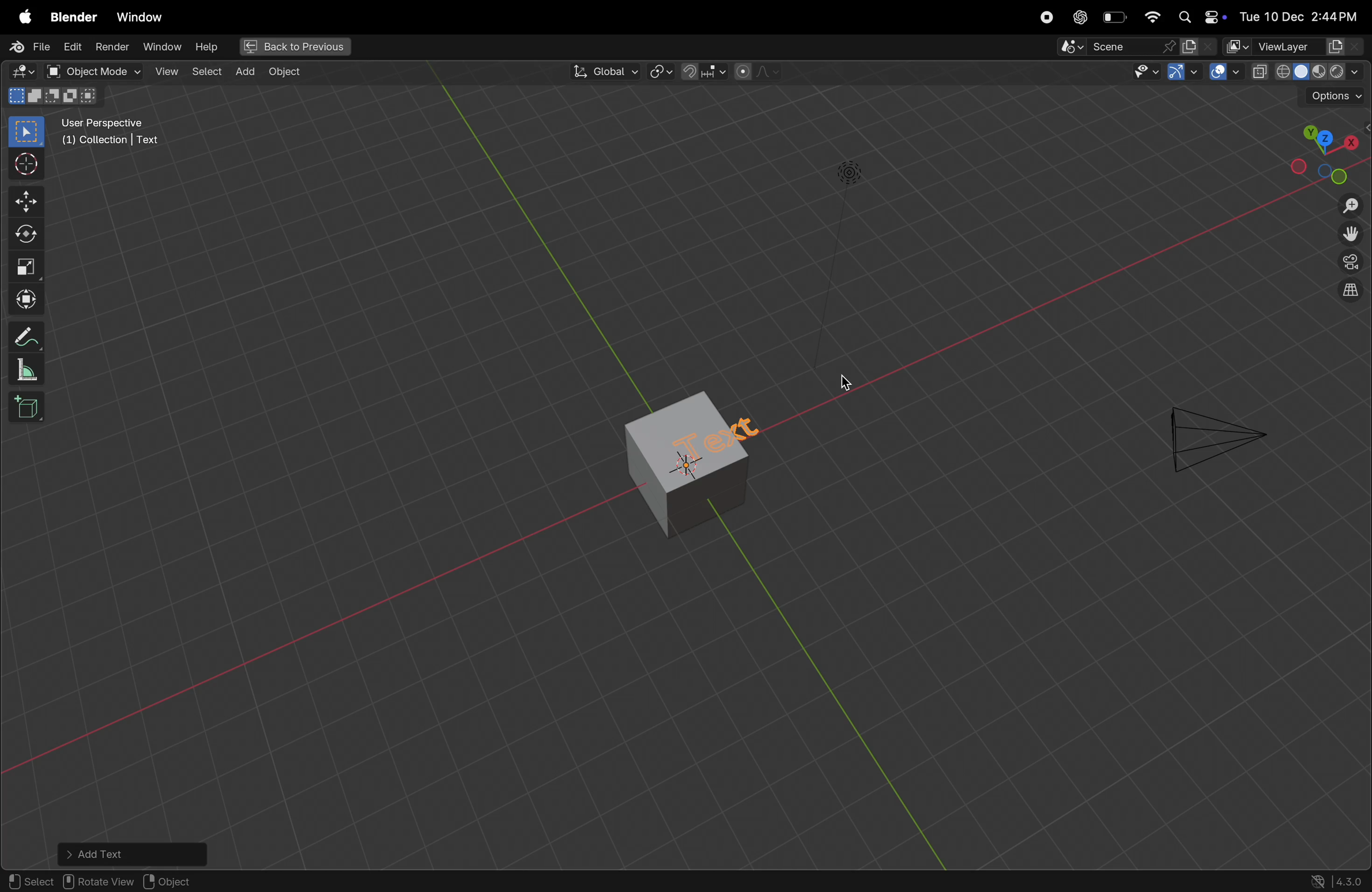  Describe the element at coordinates (244, 71) in the screenshot. I see `add` at that location.